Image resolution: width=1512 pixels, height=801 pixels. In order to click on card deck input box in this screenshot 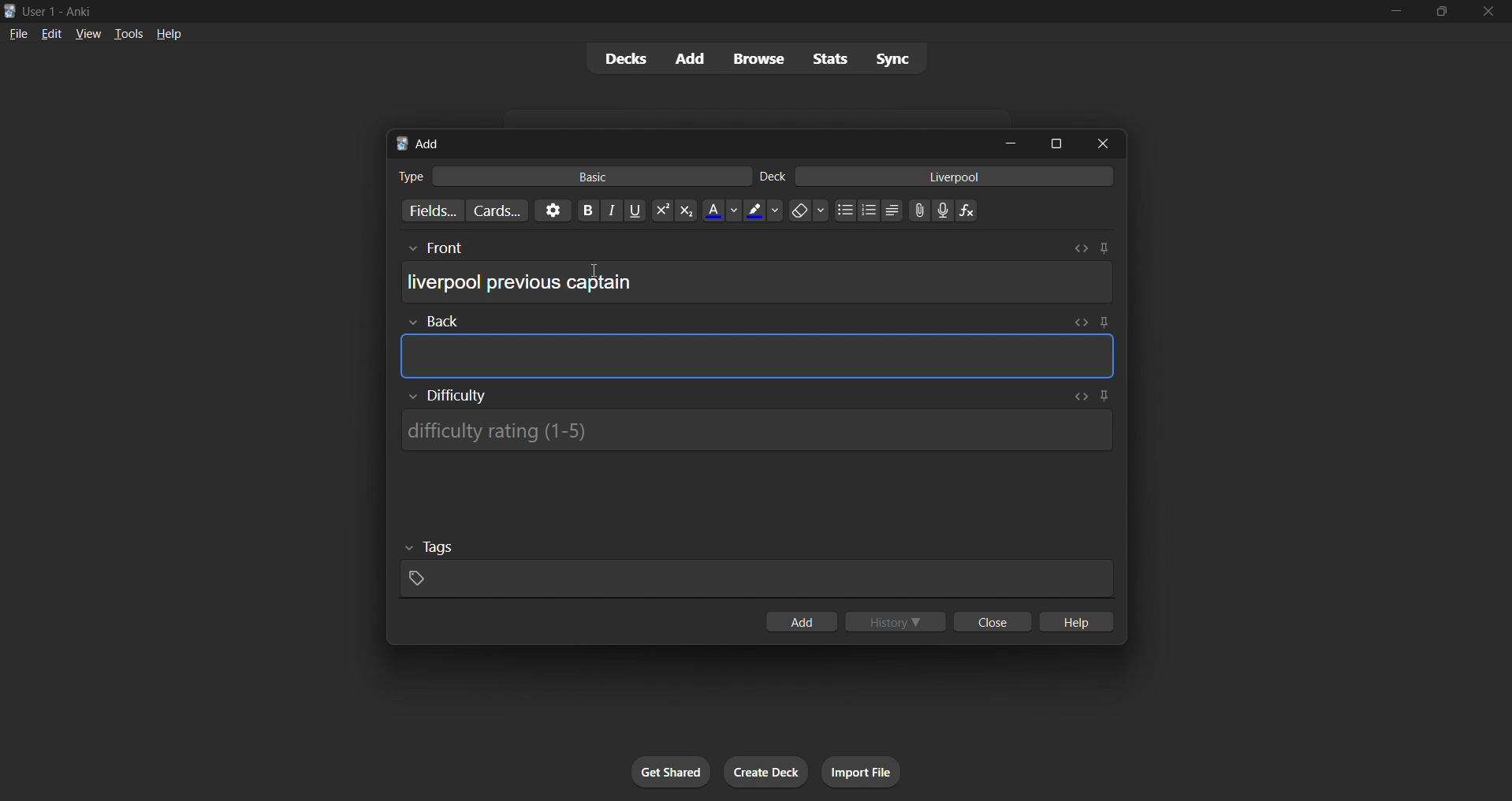, I will do `click(940, 179)`.